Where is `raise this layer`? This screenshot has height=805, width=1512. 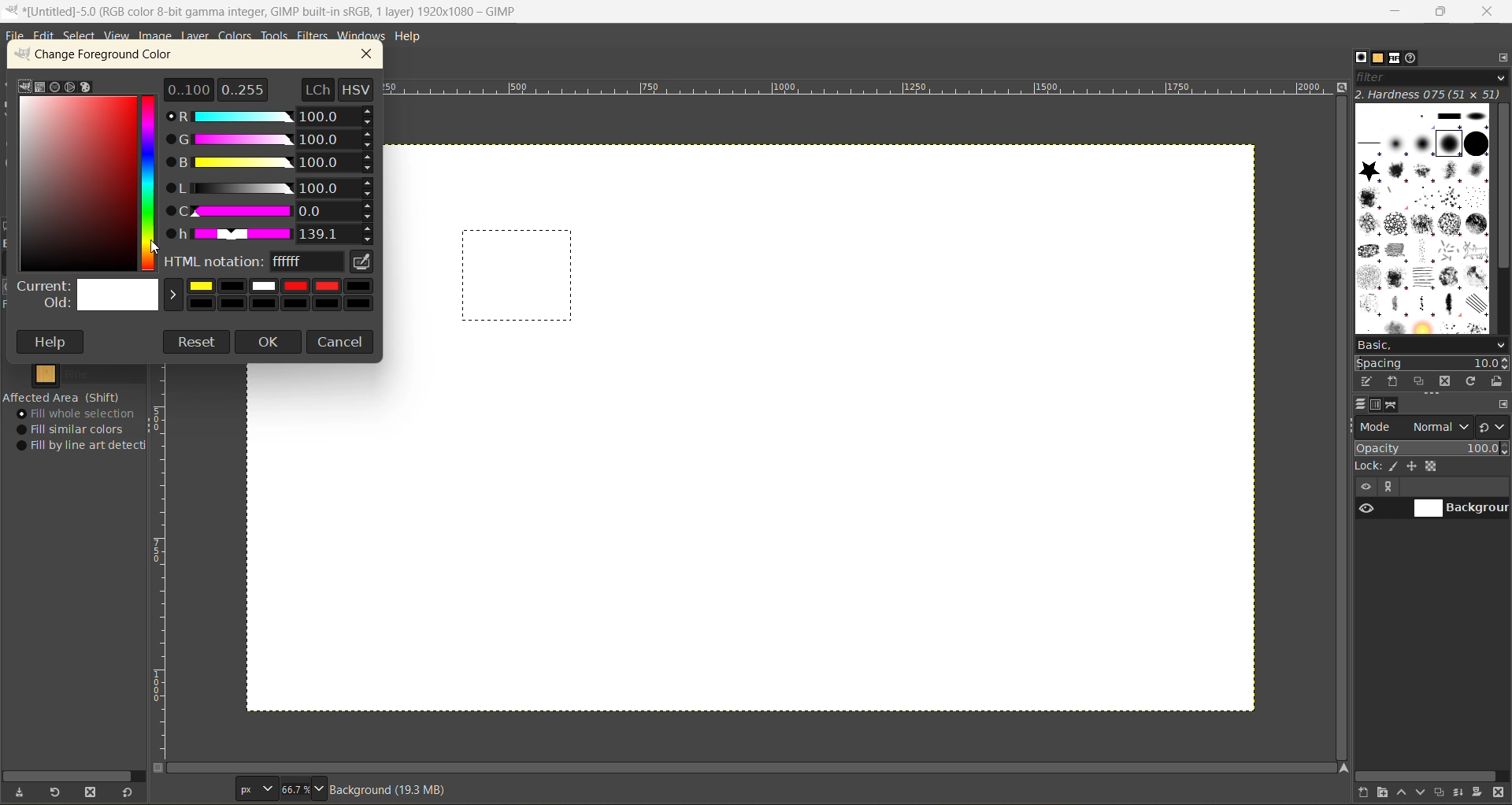
raise this layer is located at coordinates (1405, 794).